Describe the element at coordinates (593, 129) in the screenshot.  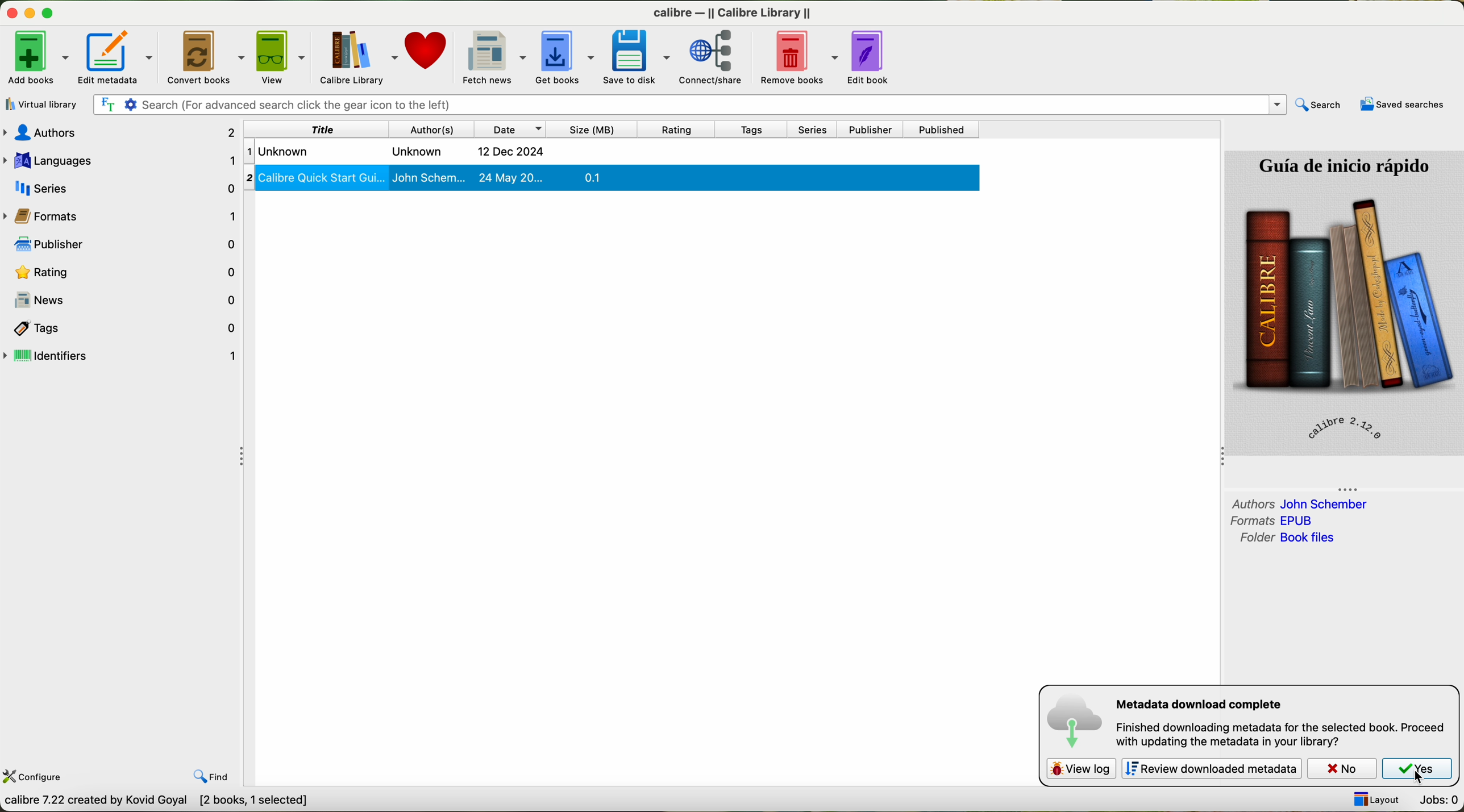
I see `size` at that location.